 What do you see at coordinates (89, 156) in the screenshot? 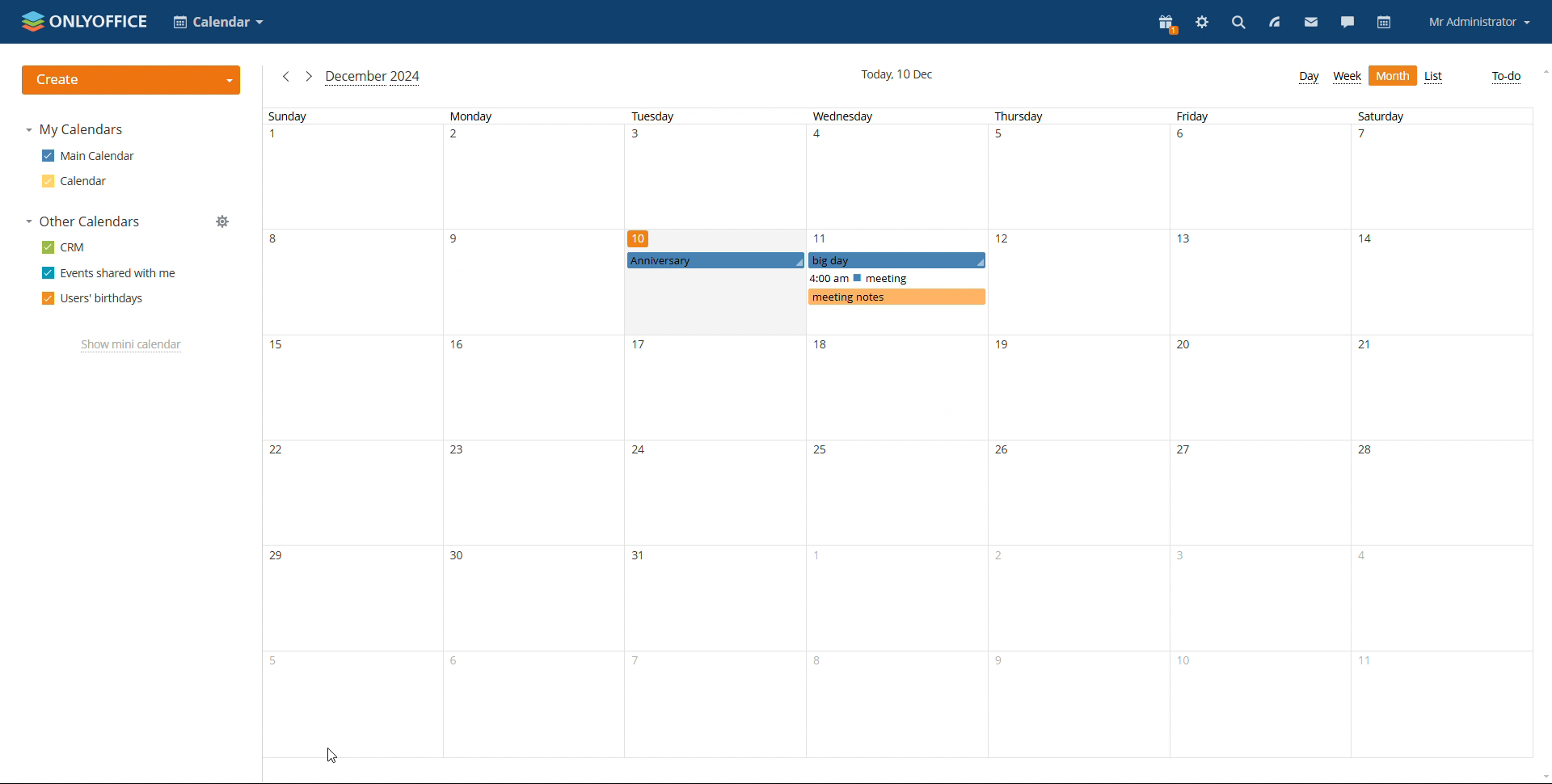
I see `main calendar` at bounding box center [89, 156].